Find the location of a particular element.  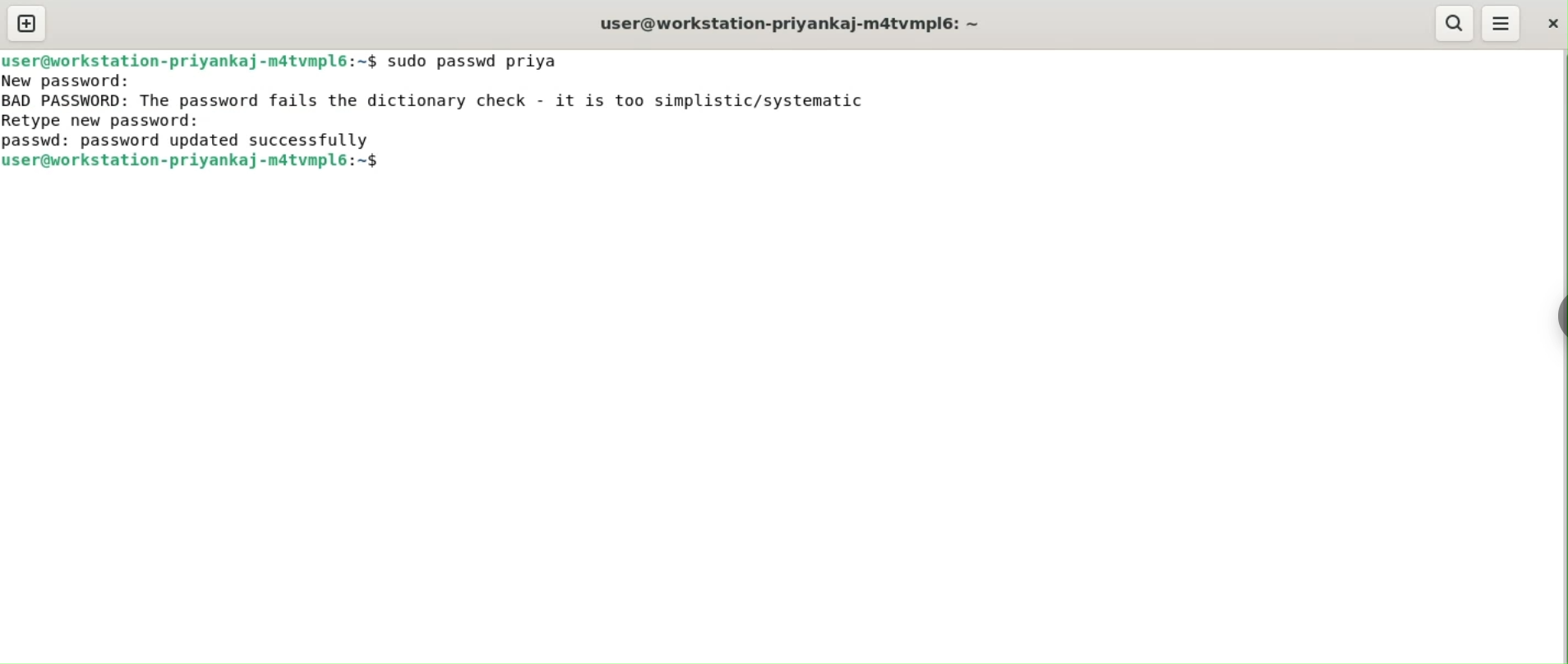

passwd: password updated sucessfuly is located at coordinates (195, 141).